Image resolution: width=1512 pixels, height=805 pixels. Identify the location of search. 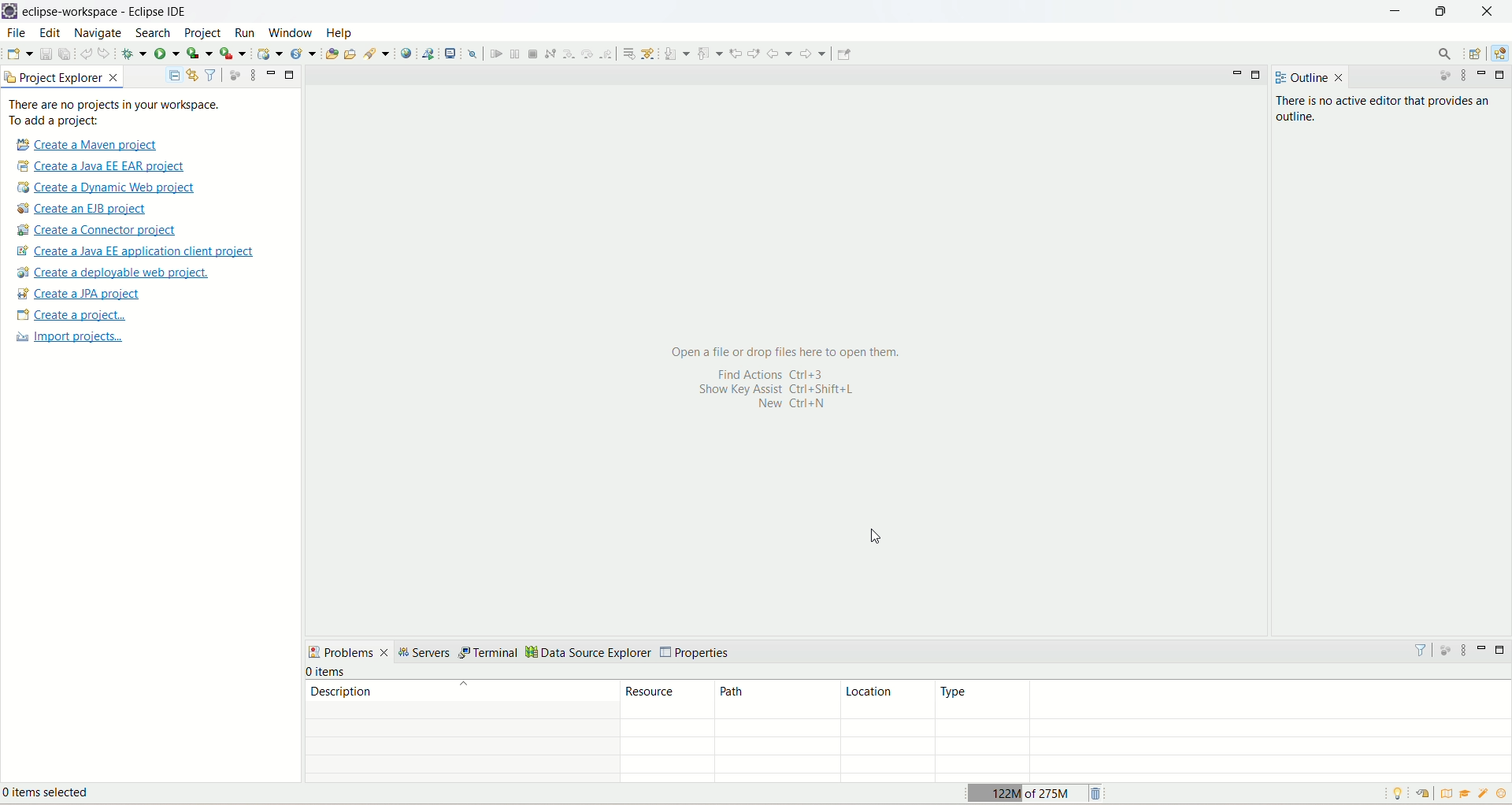
(155, 34).